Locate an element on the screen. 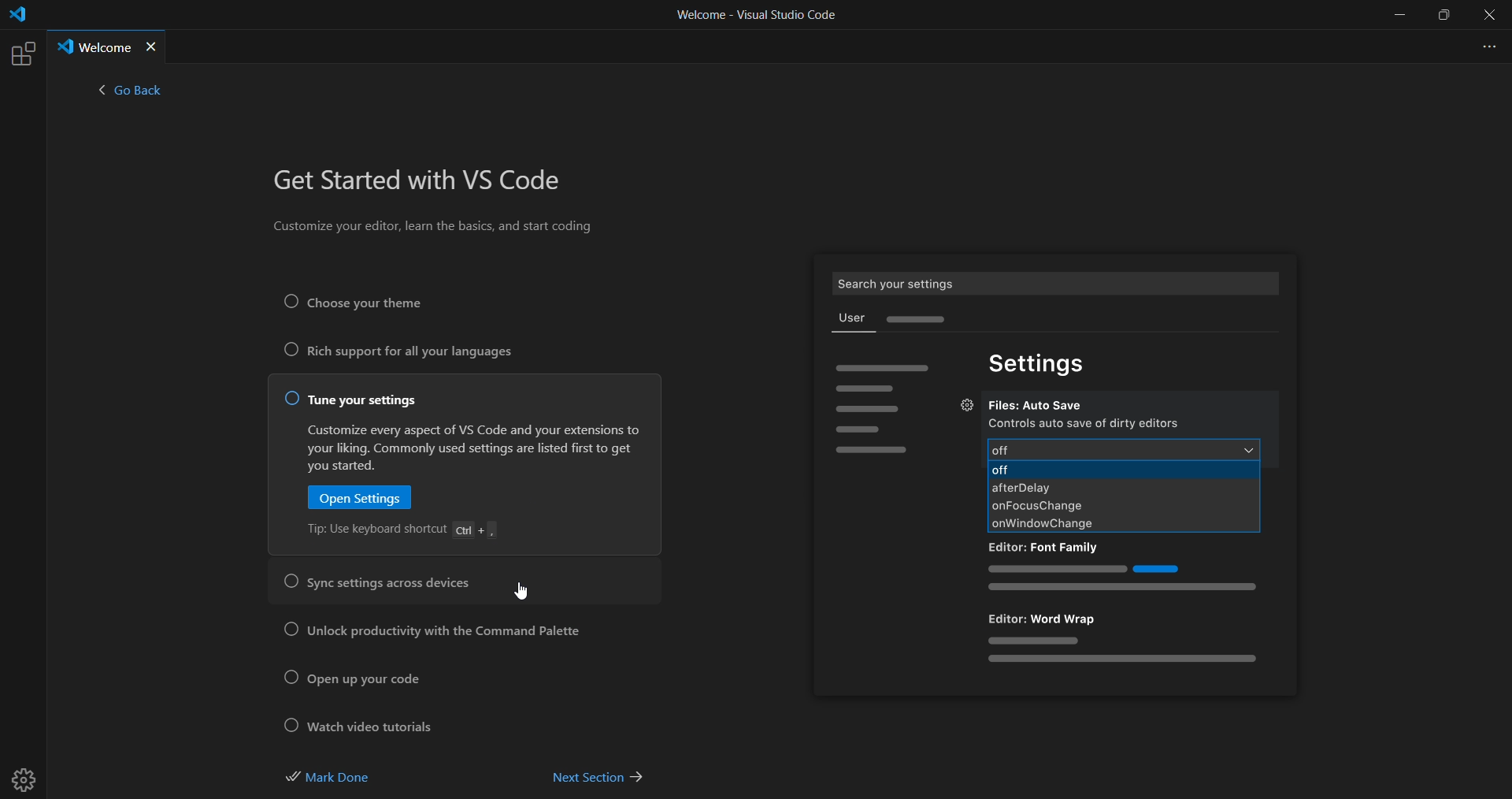  next section is located at coordinates (597, 769).